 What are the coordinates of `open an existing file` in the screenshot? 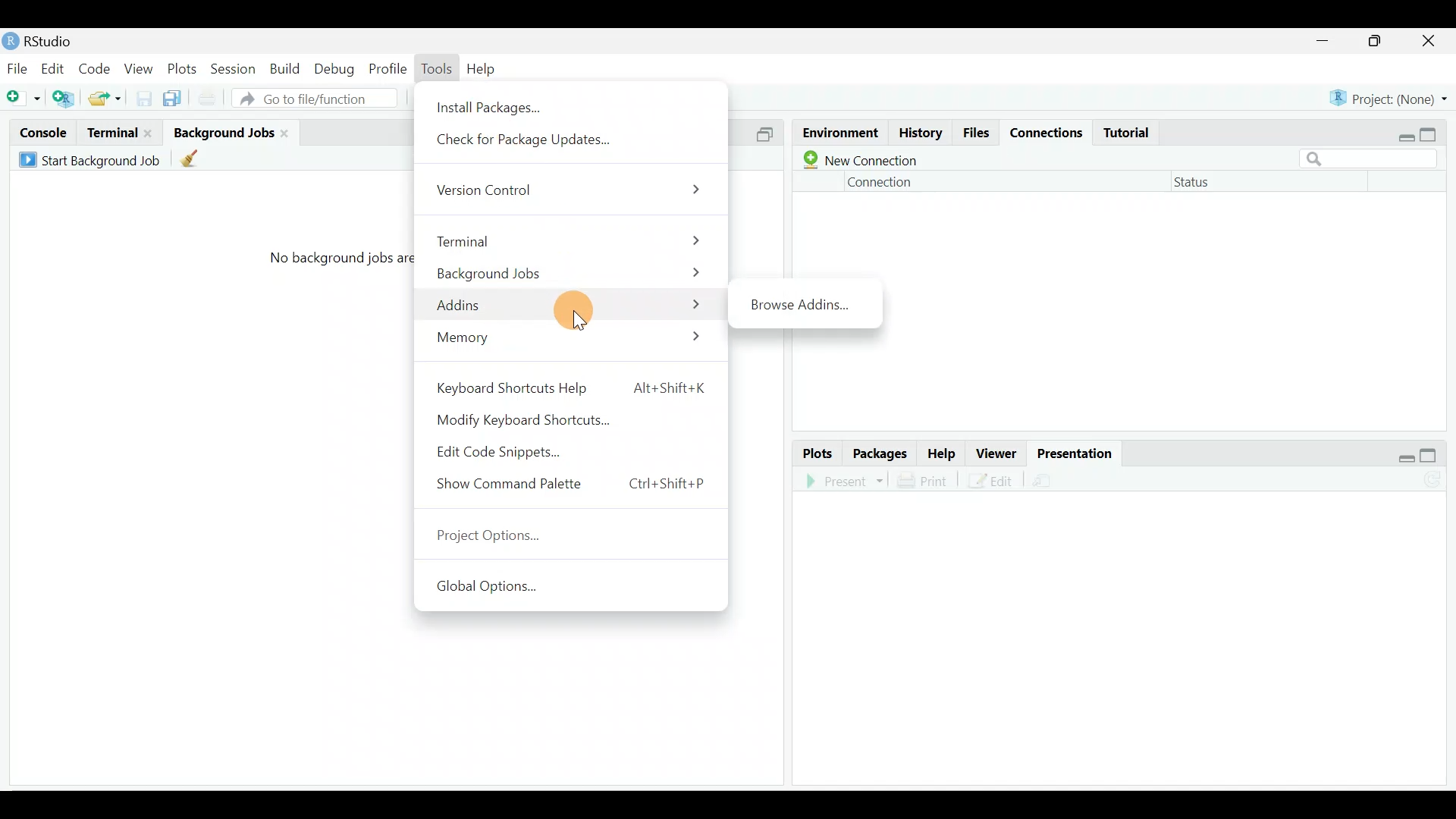 It's located at (105, 99).